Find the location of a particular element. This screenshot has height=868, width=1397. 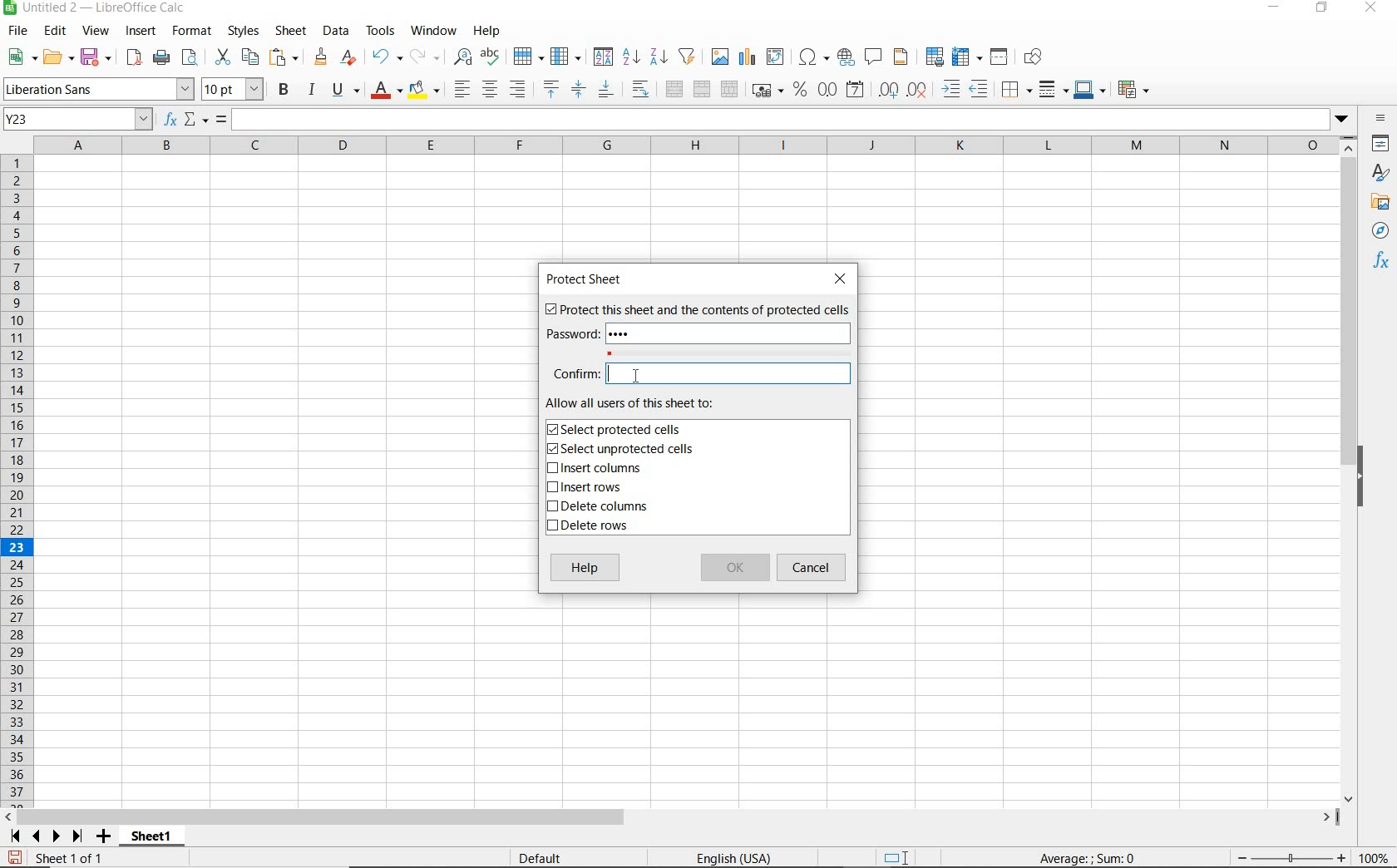

FORMULA is located at coordinates (222, 120).